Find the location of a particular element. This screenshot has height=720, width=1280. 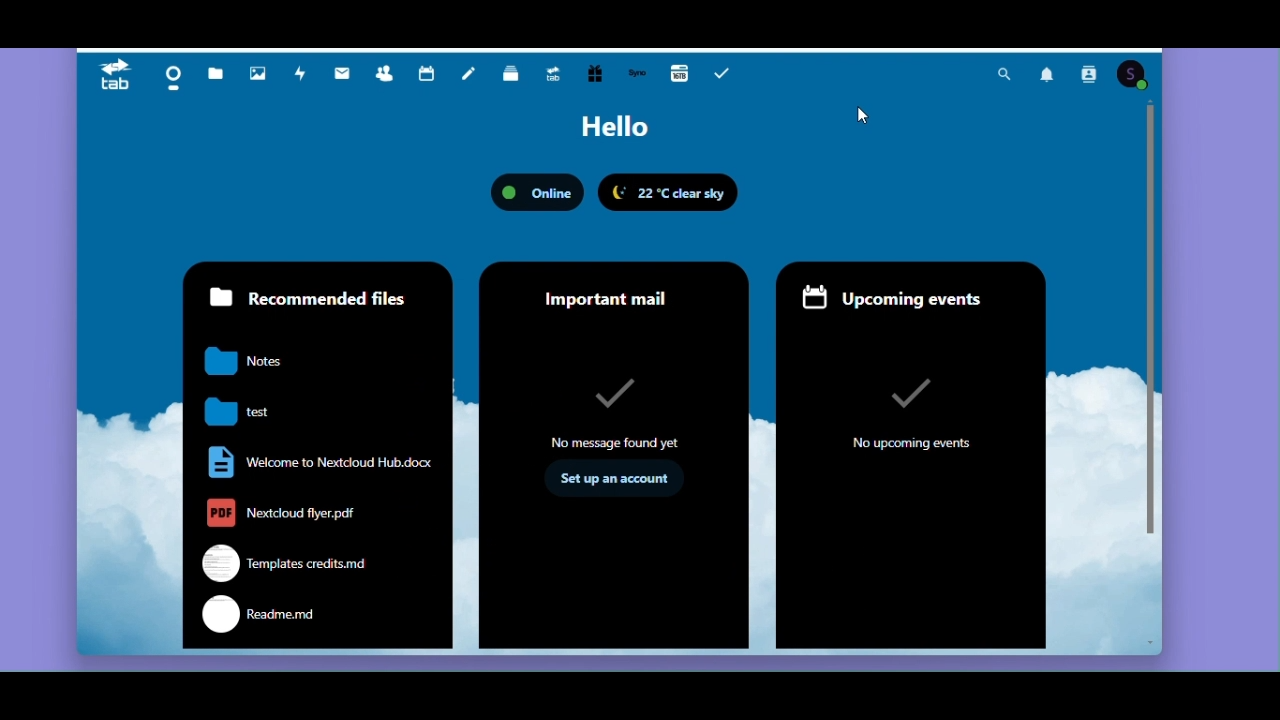

Contact search is located at coordinates (1088, 76).